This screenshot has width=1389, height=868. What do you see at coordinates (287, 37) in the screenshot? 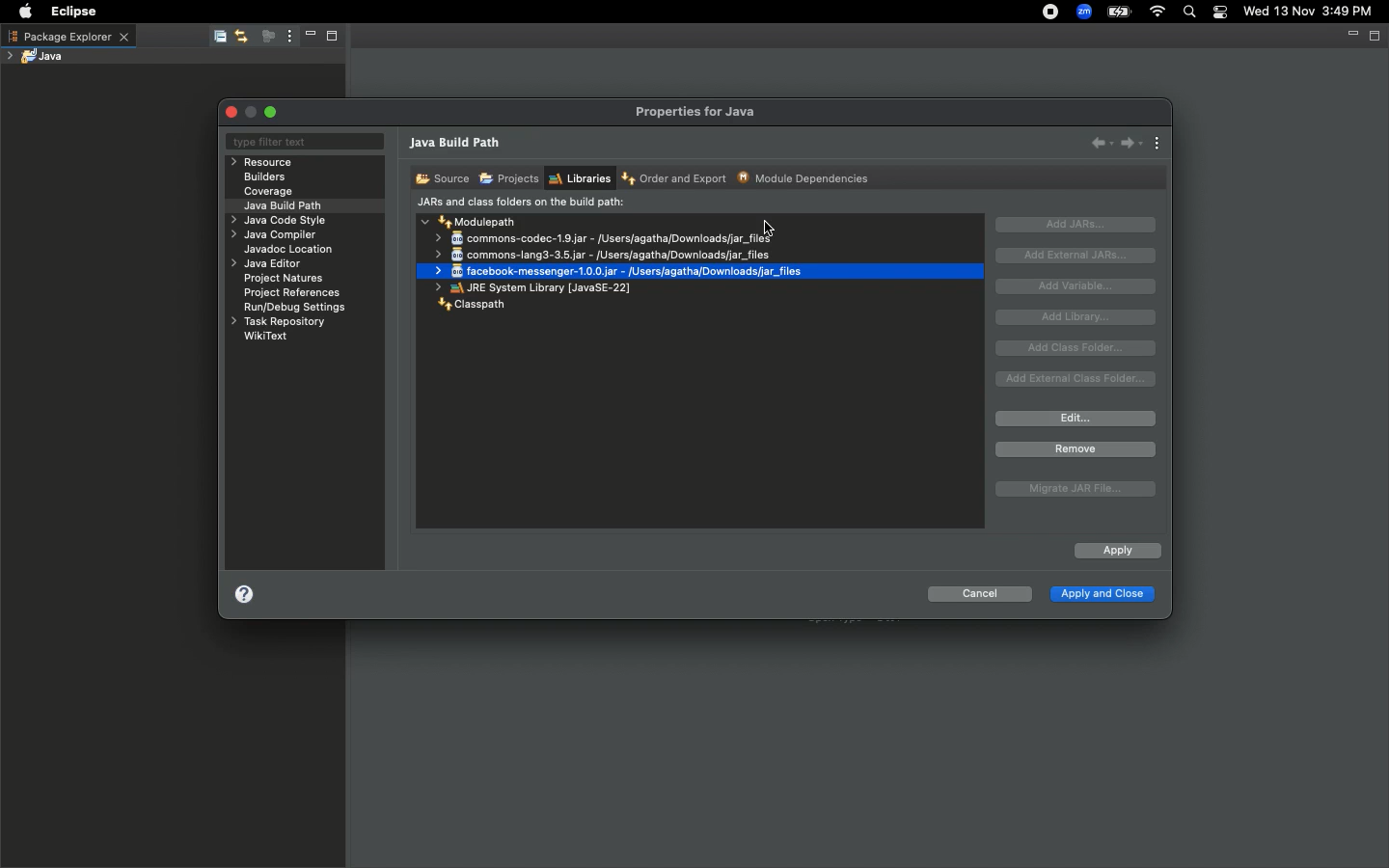
I see `View menu` at bounding box center [287, 37].